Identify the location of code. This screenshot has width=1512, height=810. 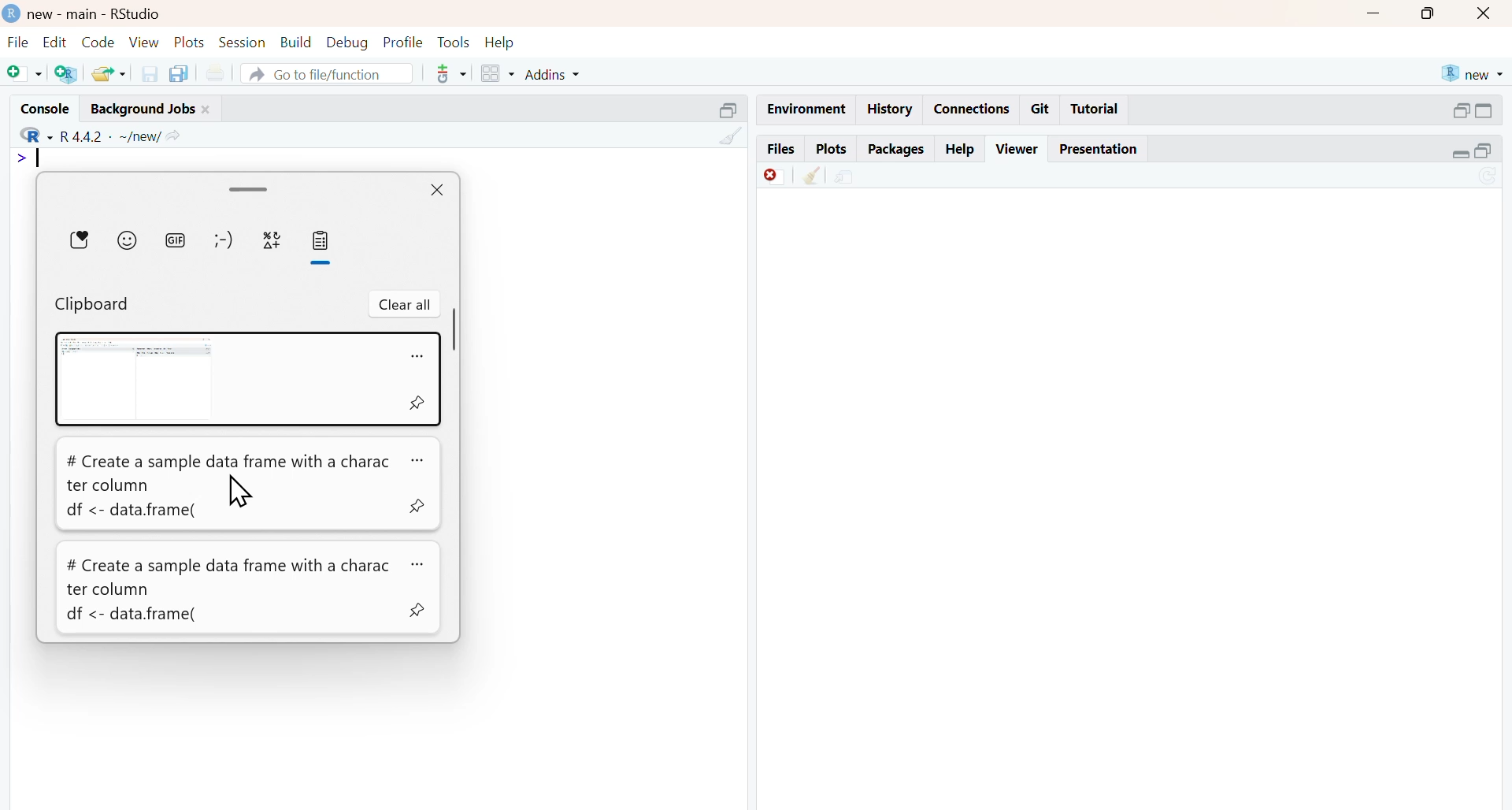
(98, 42).